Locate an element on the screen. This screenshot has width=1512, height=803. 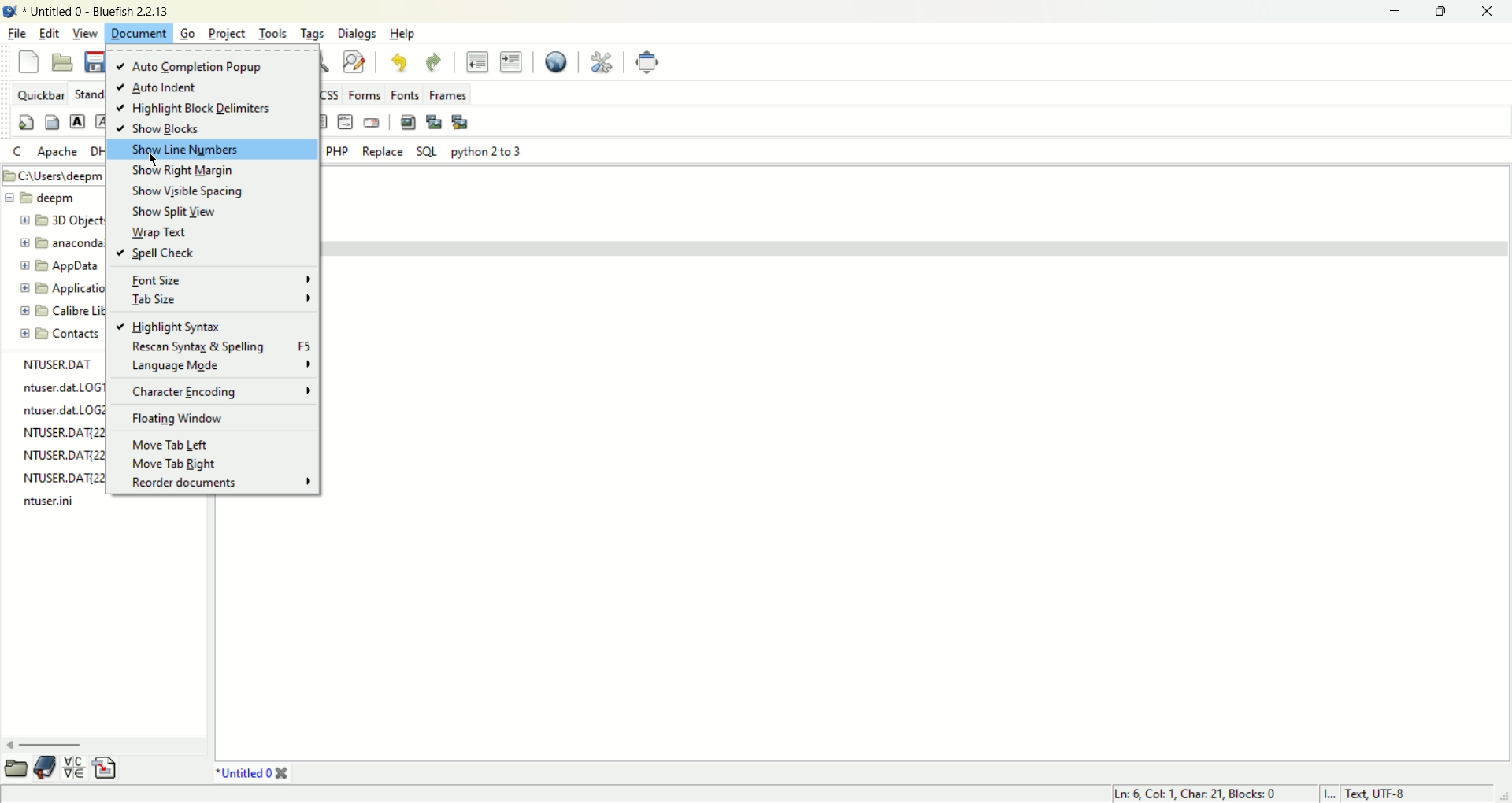
open is located at coordinates (65, 63).